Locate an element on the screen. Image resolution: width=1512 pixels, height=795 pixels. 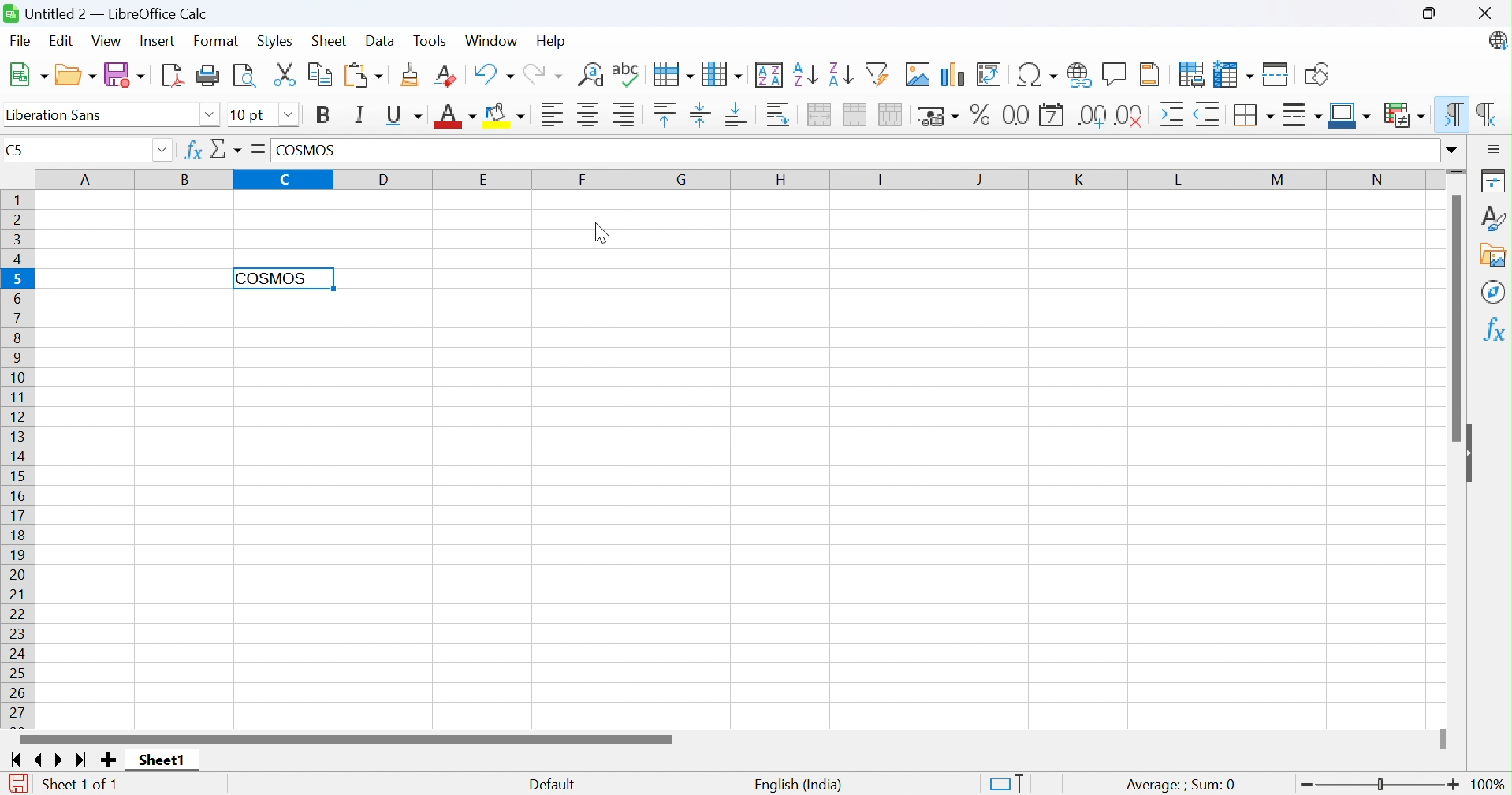
Scroll bar is located at coordinates (1456, 319).